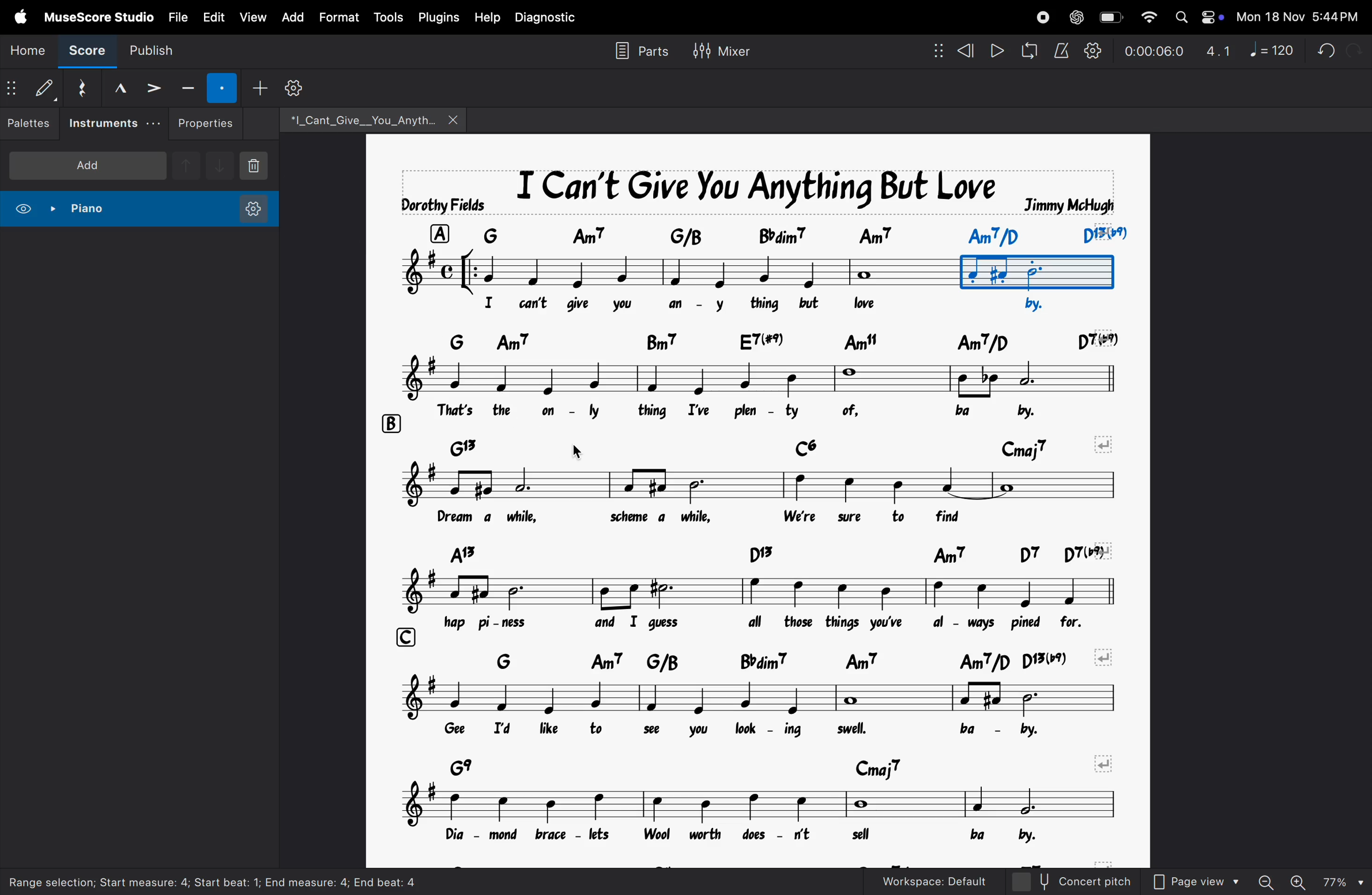 Image resolution: width=1372 pixels, height=895 pixels. Describe the element at coordinates (402, 637) in the screenshot. I see `row` at that location.